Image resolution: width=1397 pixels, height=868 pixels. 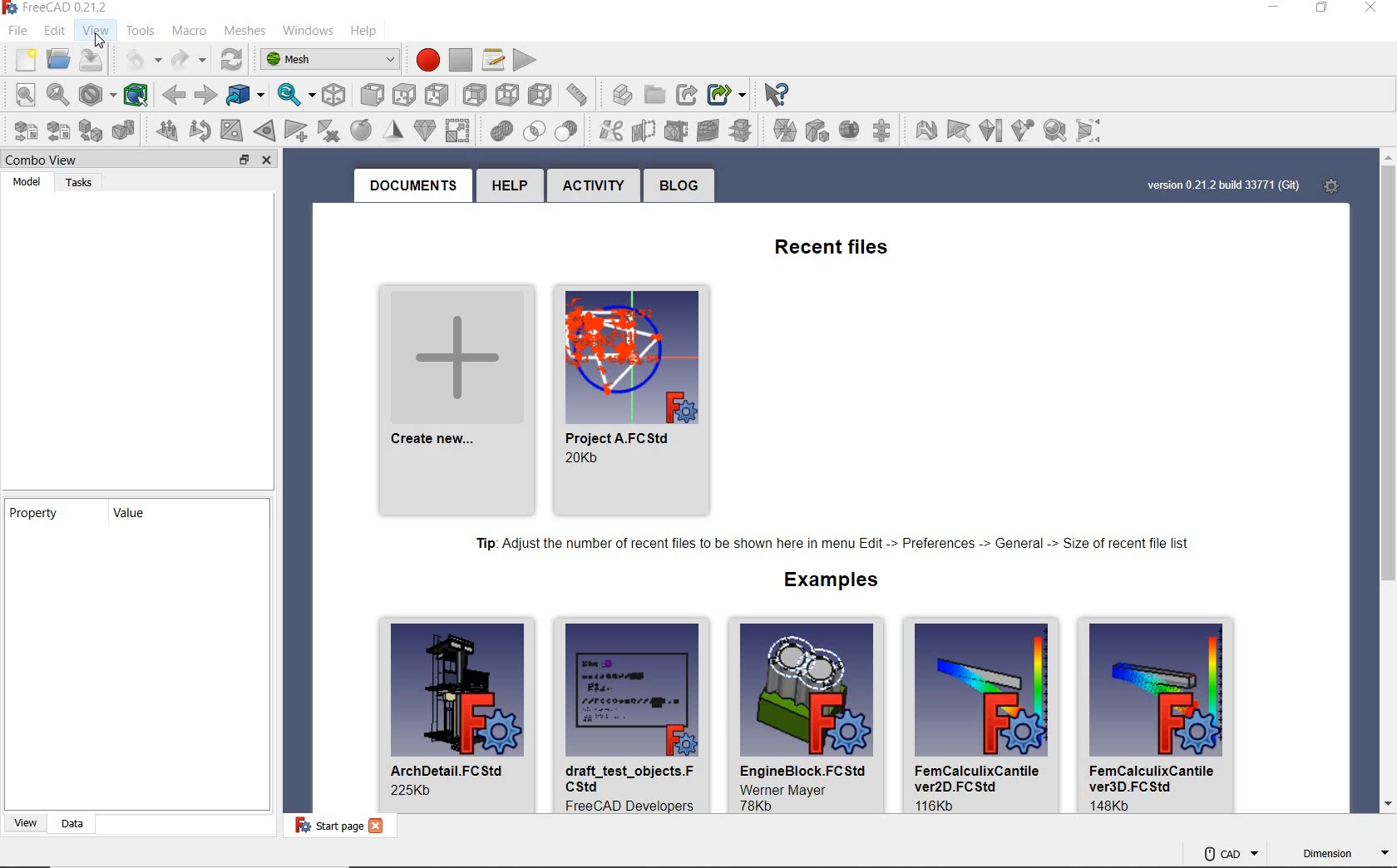 I want to click on tip, so click(x=827, y=545).